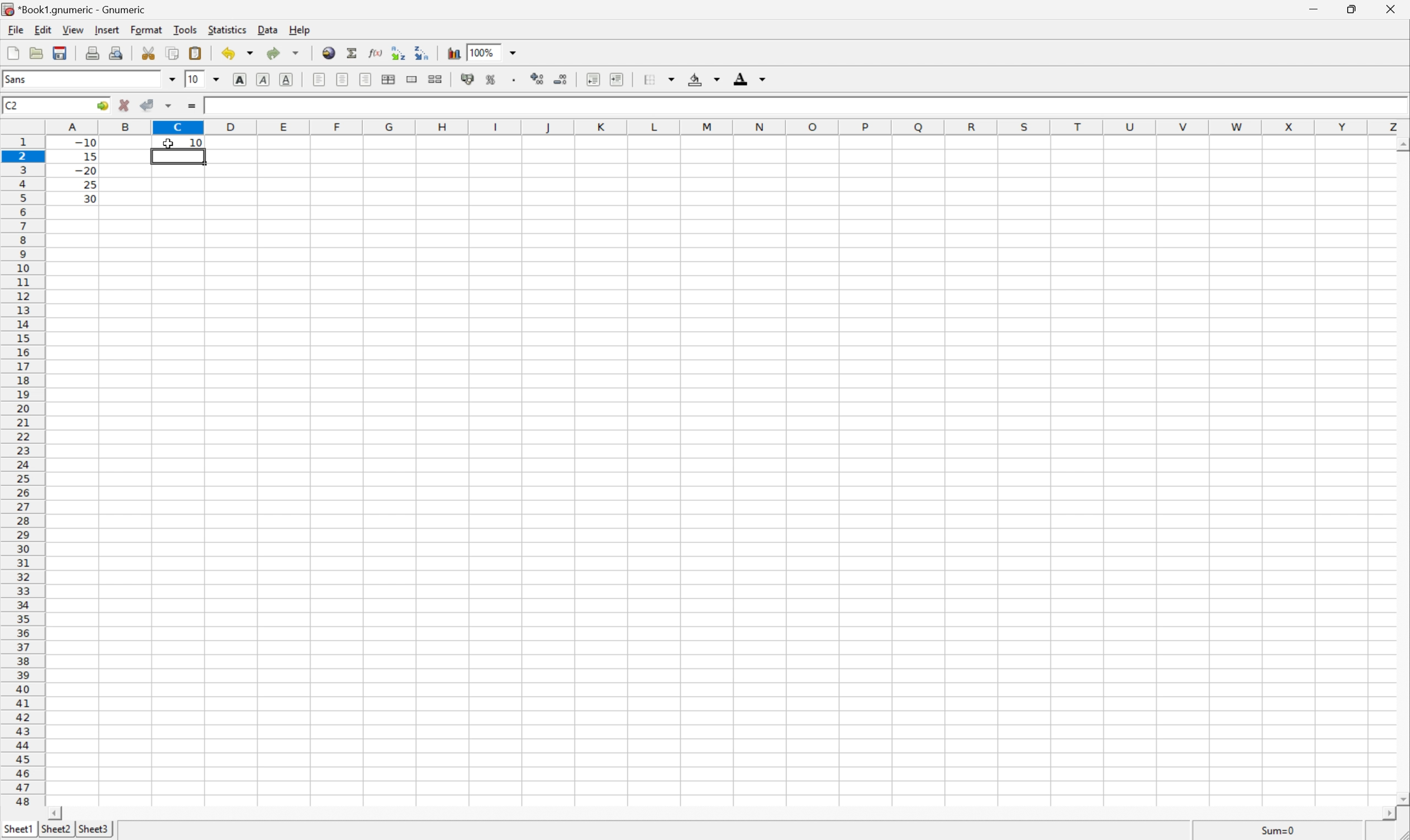 The width and height of the screenshot is (1410, 840). I want to click on Shee3, so click(93, 829).